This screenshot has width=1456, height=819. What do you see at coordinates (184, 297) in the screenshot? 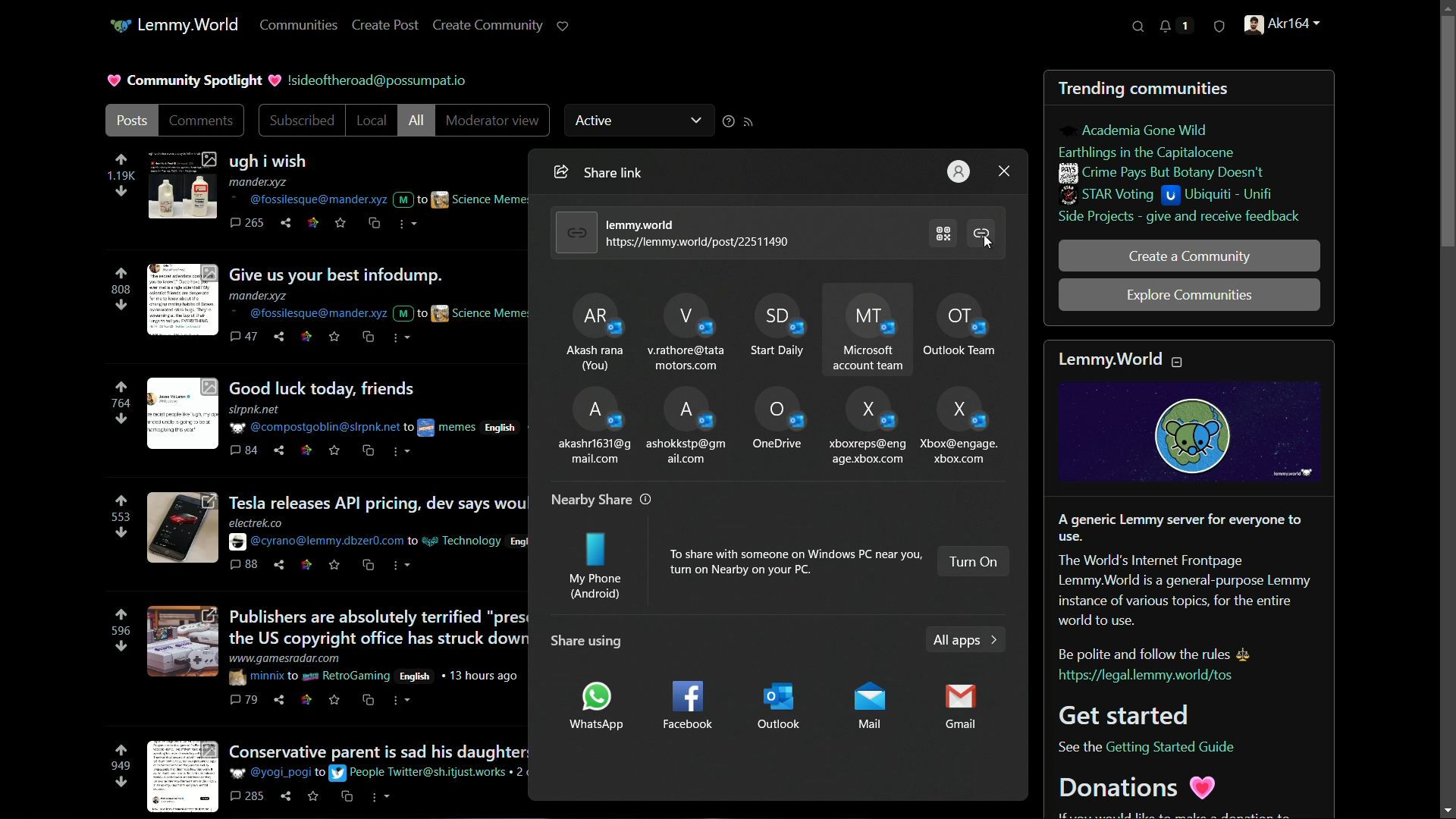
I see `thumbnail` at bounding box center [184, 297].